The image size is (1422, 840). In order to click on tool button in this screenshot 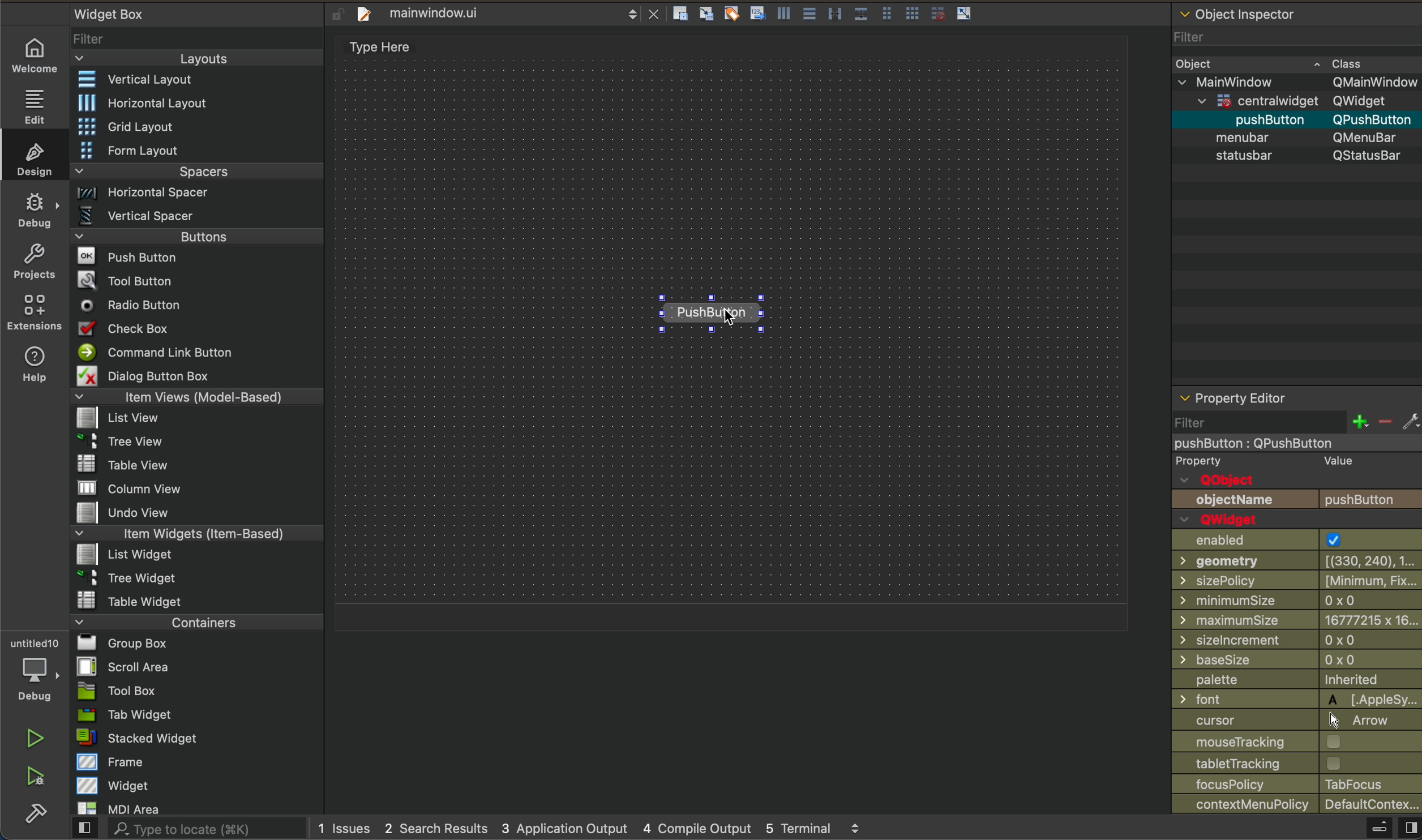, I will do `click(198, 282)`.